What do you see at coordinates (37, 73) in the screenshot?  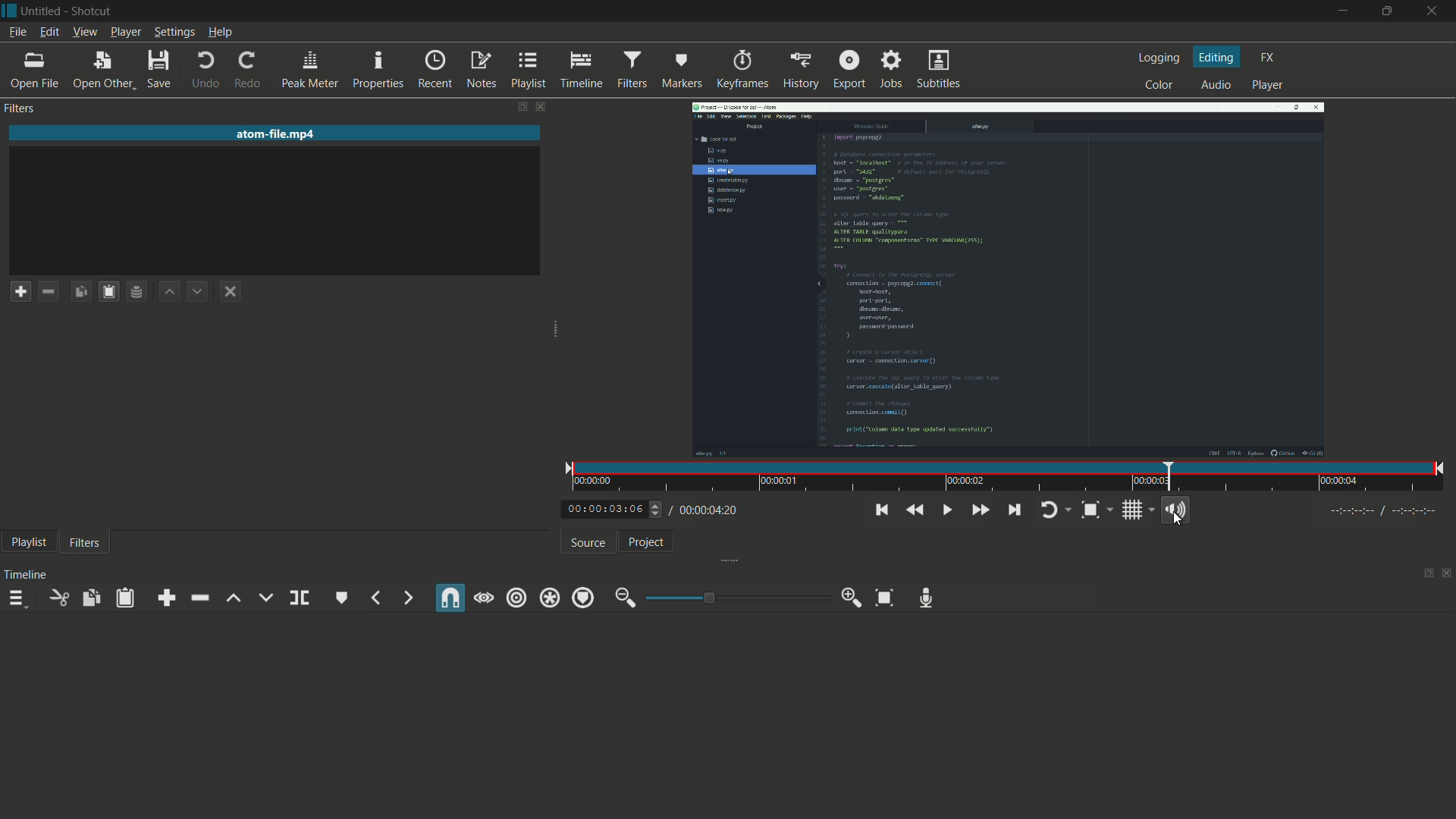 I see `open file` at bounding box center [37, 73].